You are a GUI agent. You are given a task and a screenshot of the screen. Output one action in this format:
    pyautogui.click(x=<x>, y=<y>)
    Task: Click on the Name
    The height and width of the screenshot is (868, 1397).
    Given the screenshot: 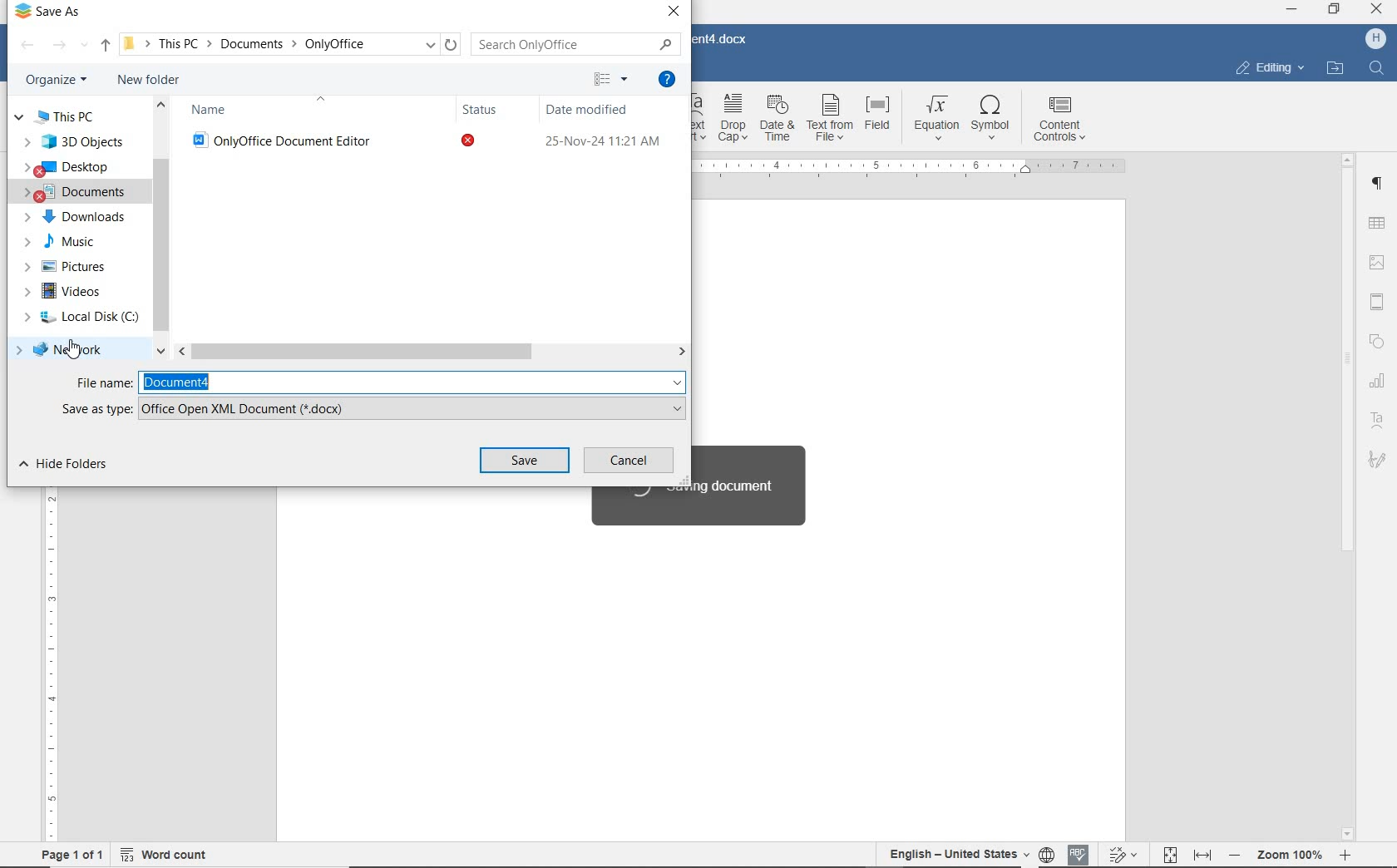 What is the action you would take?
    pyautogui.click(x=215, y=111)
    